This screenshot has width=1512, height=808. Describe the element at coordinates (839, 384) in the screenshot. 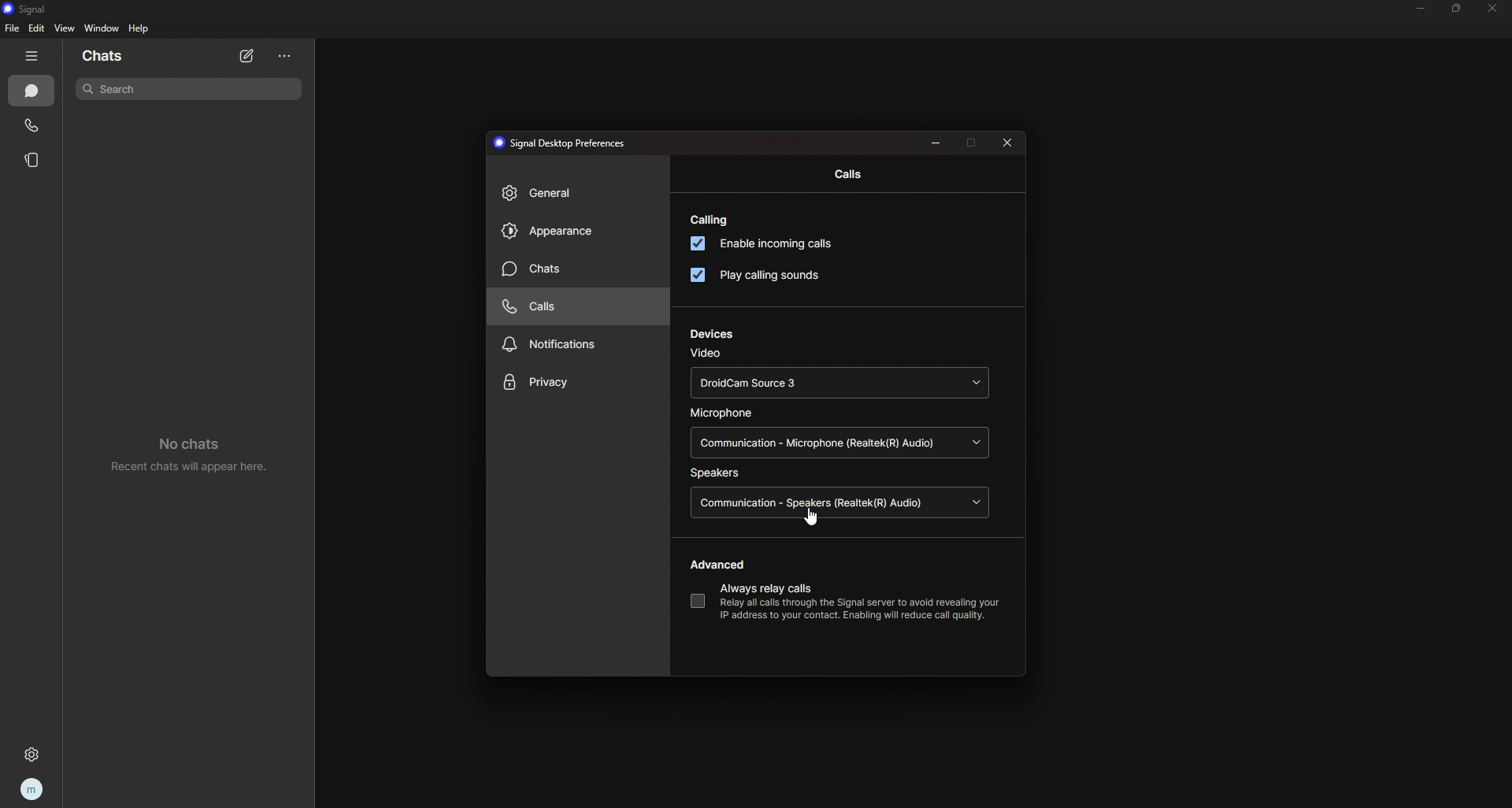

I see `DroidCam Source 3` at that location.